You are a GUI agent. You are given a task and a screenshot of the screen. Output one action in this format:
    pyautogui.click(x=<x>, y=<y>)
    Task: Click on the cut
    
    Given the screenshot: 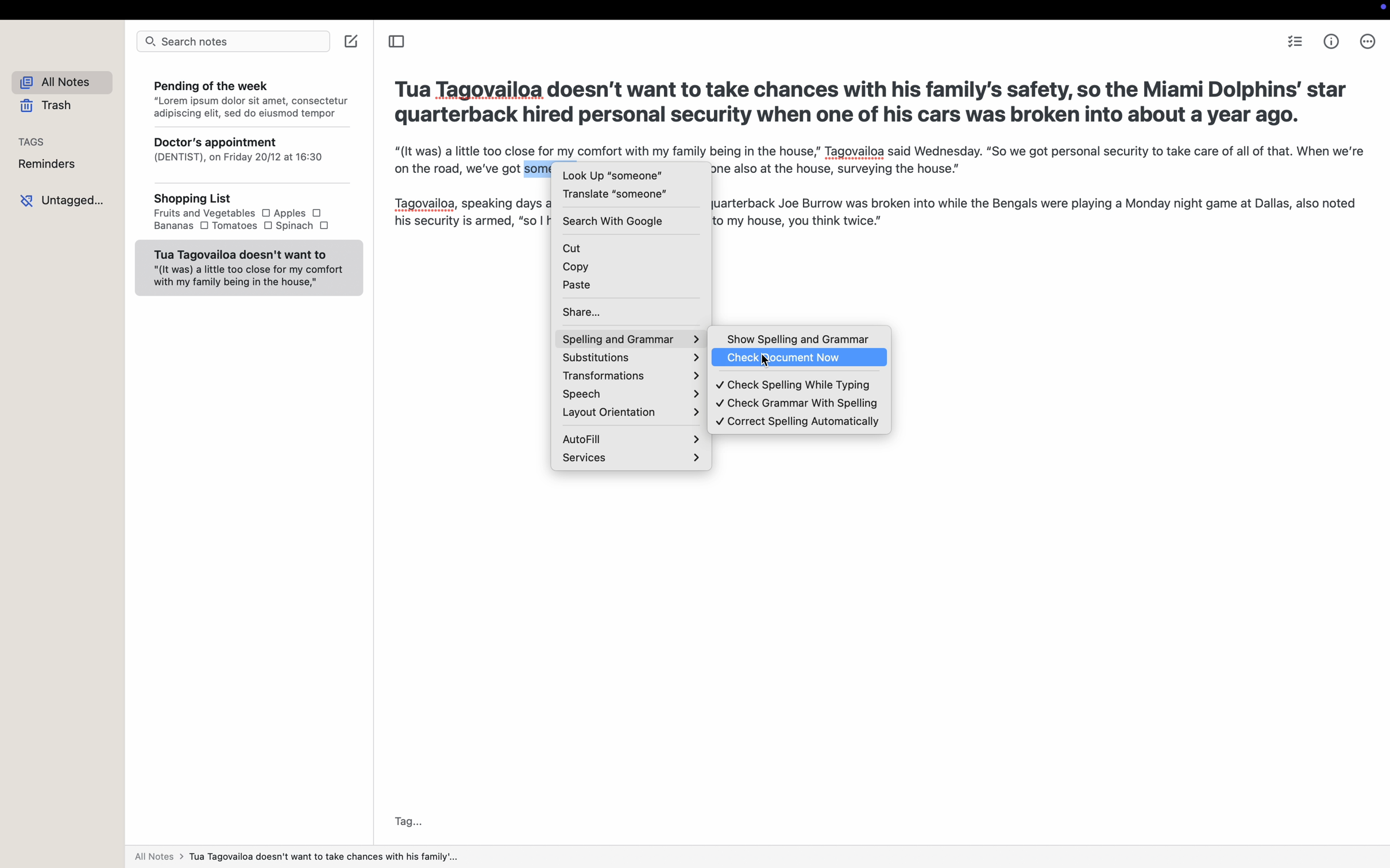 What is the action you would take?
    pyautogui.click(x=631, y=246)
    